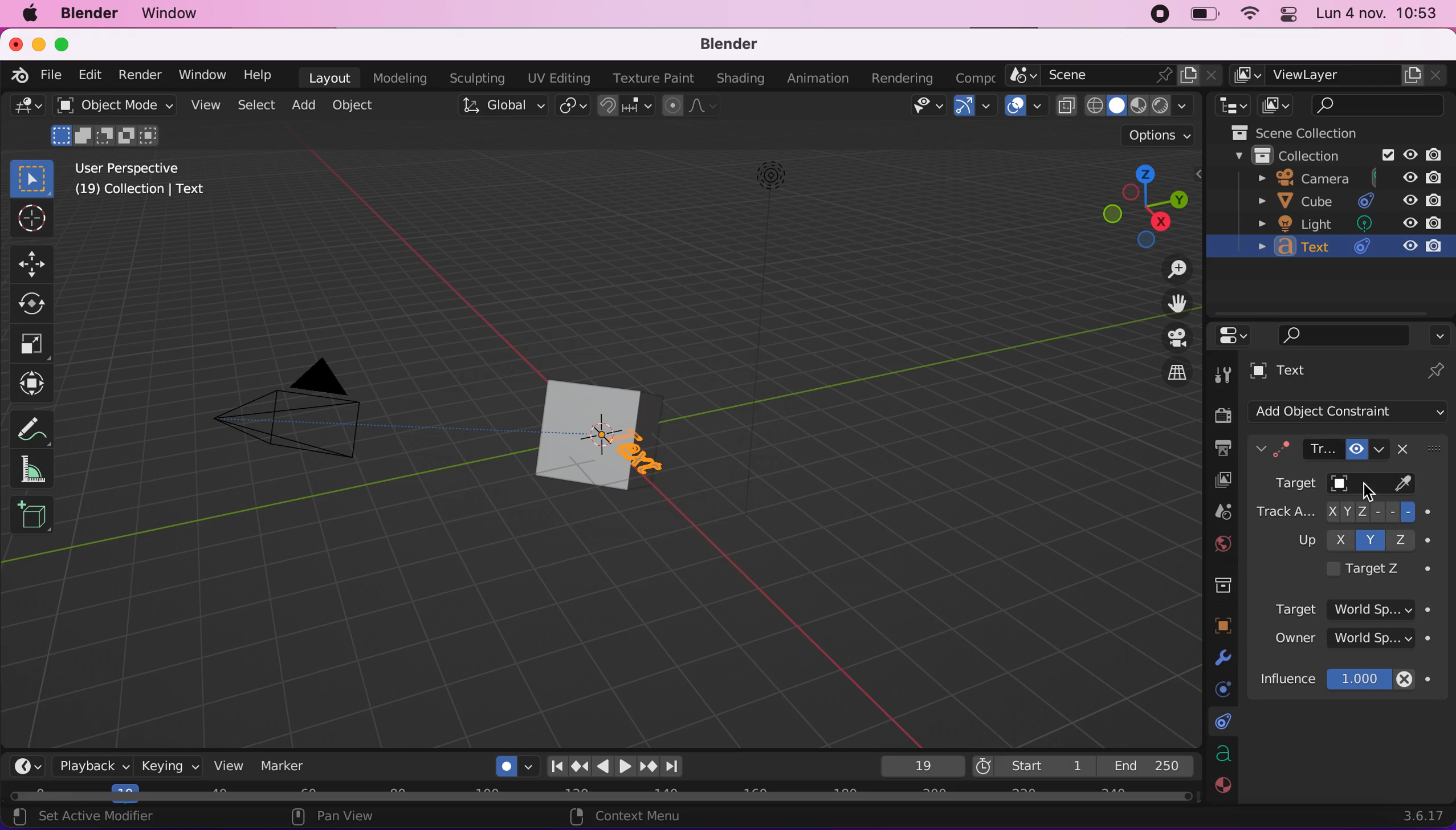 This screenshot has height=830, width=1456. Describe the element at coordinates (1223, 511) in the screenshot. I see `scene` at that location.